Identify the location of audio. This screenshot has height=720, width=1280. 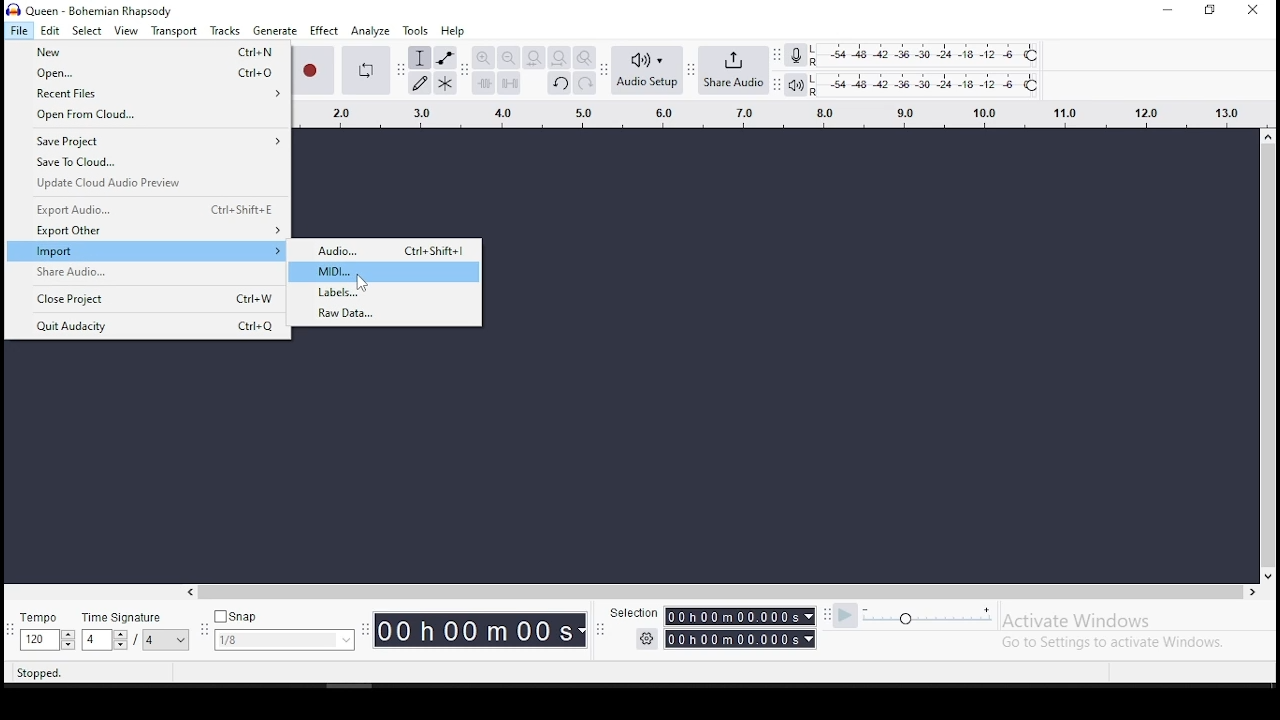
(388, 250).